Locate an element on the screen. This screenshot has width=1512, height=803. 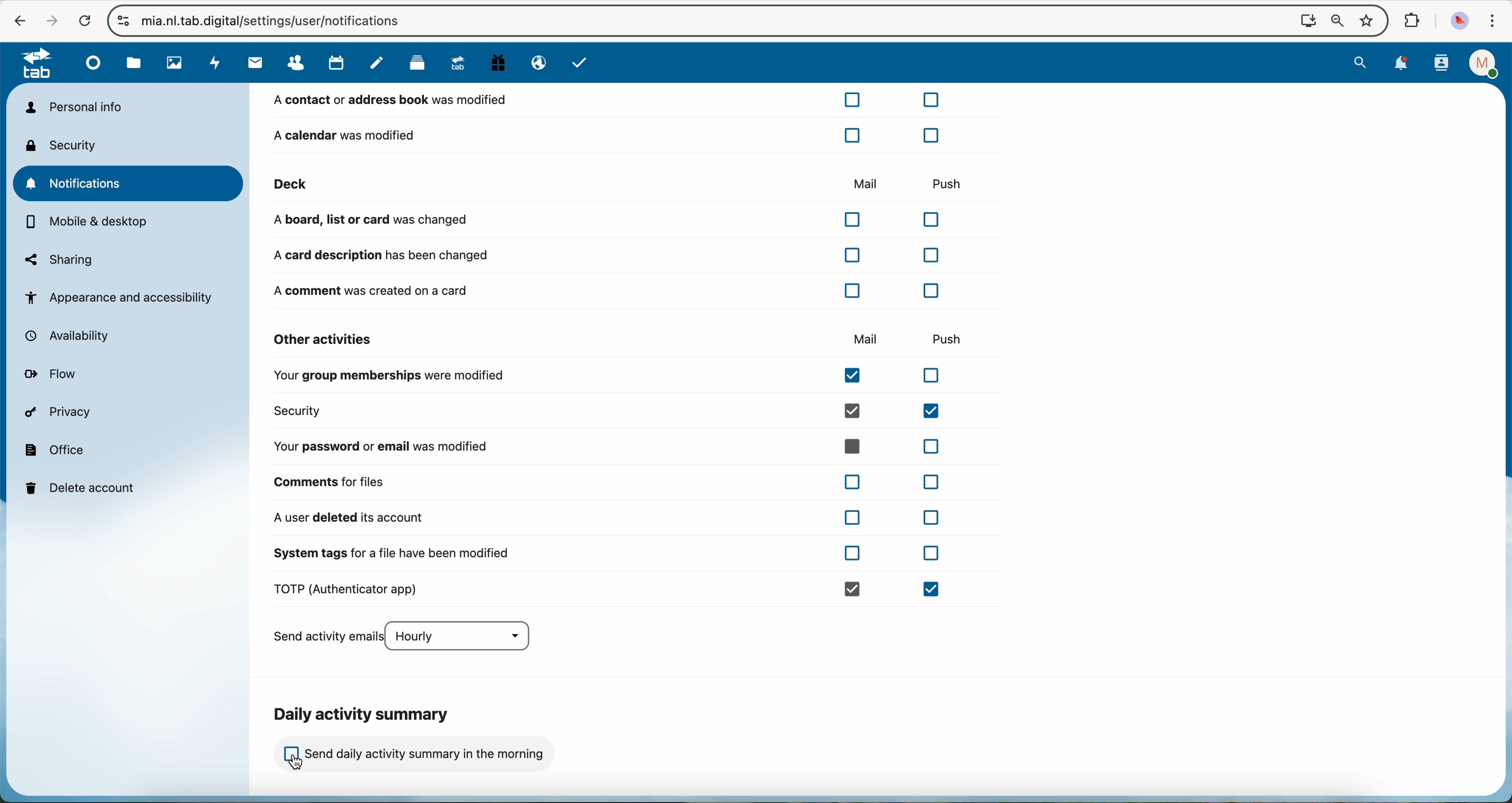
a user deleted its account is located at coordinates (606, 518).